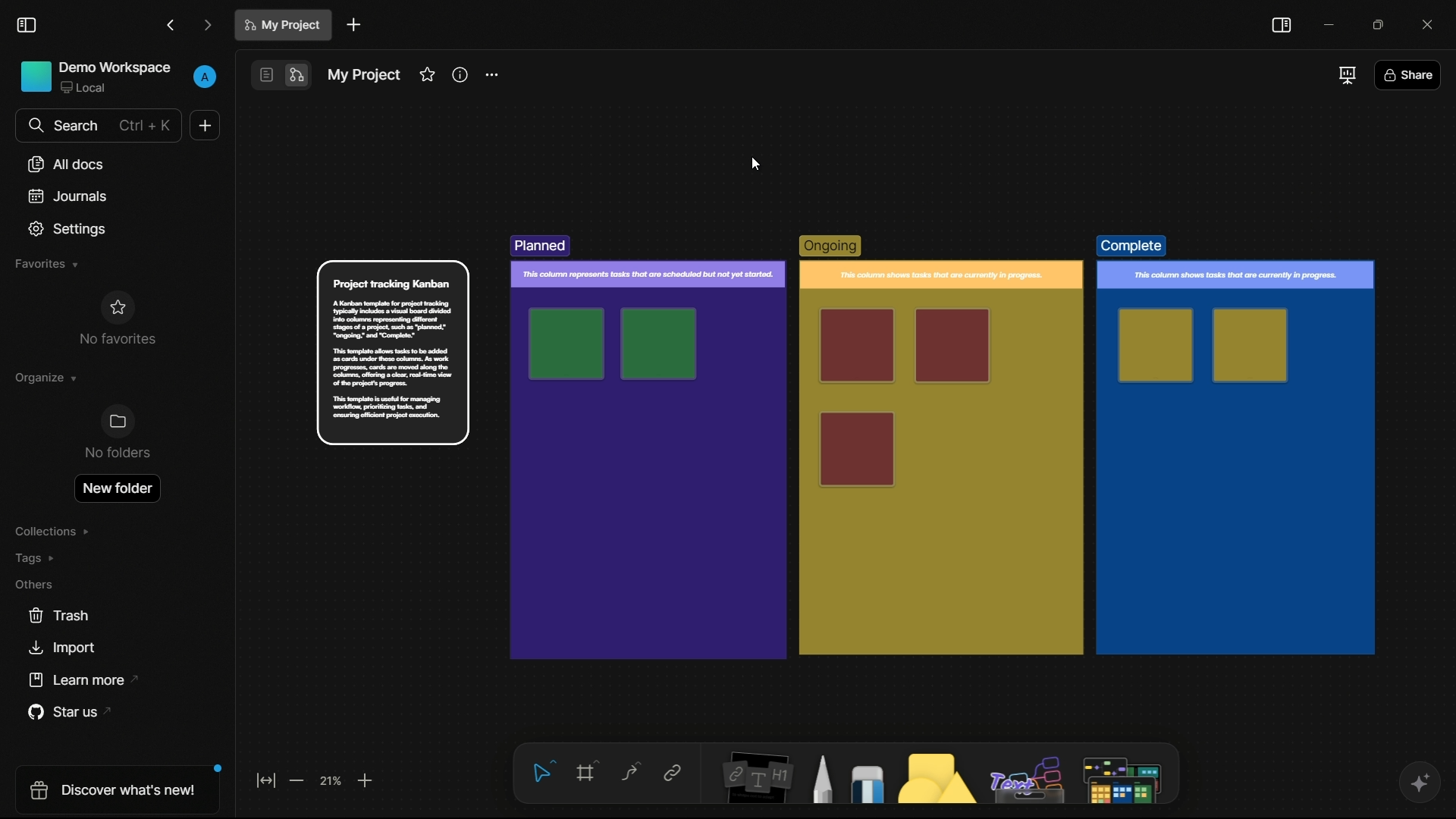 This screenshot has height=819, width=1456. Describe the element at coordinates (171, 26) in the screenshot. I see `back` at that location.